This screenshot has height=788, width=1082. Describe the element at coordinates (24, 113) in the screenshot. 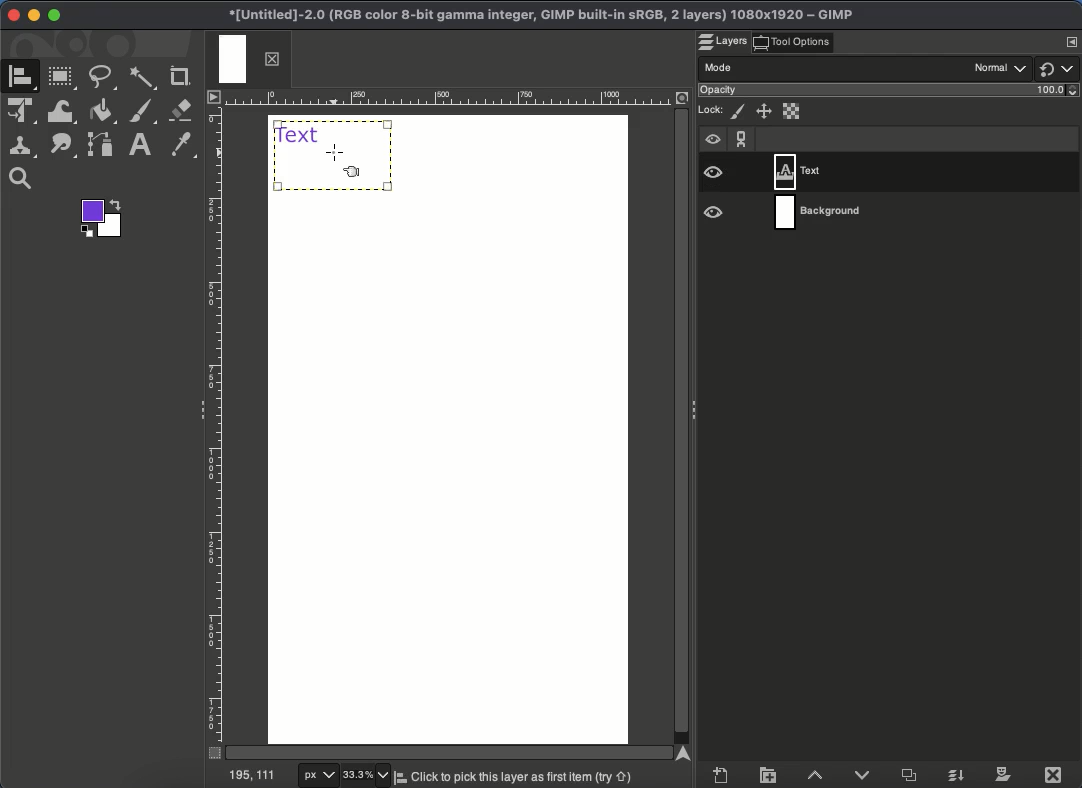

I see `Unified transformation` at that location.